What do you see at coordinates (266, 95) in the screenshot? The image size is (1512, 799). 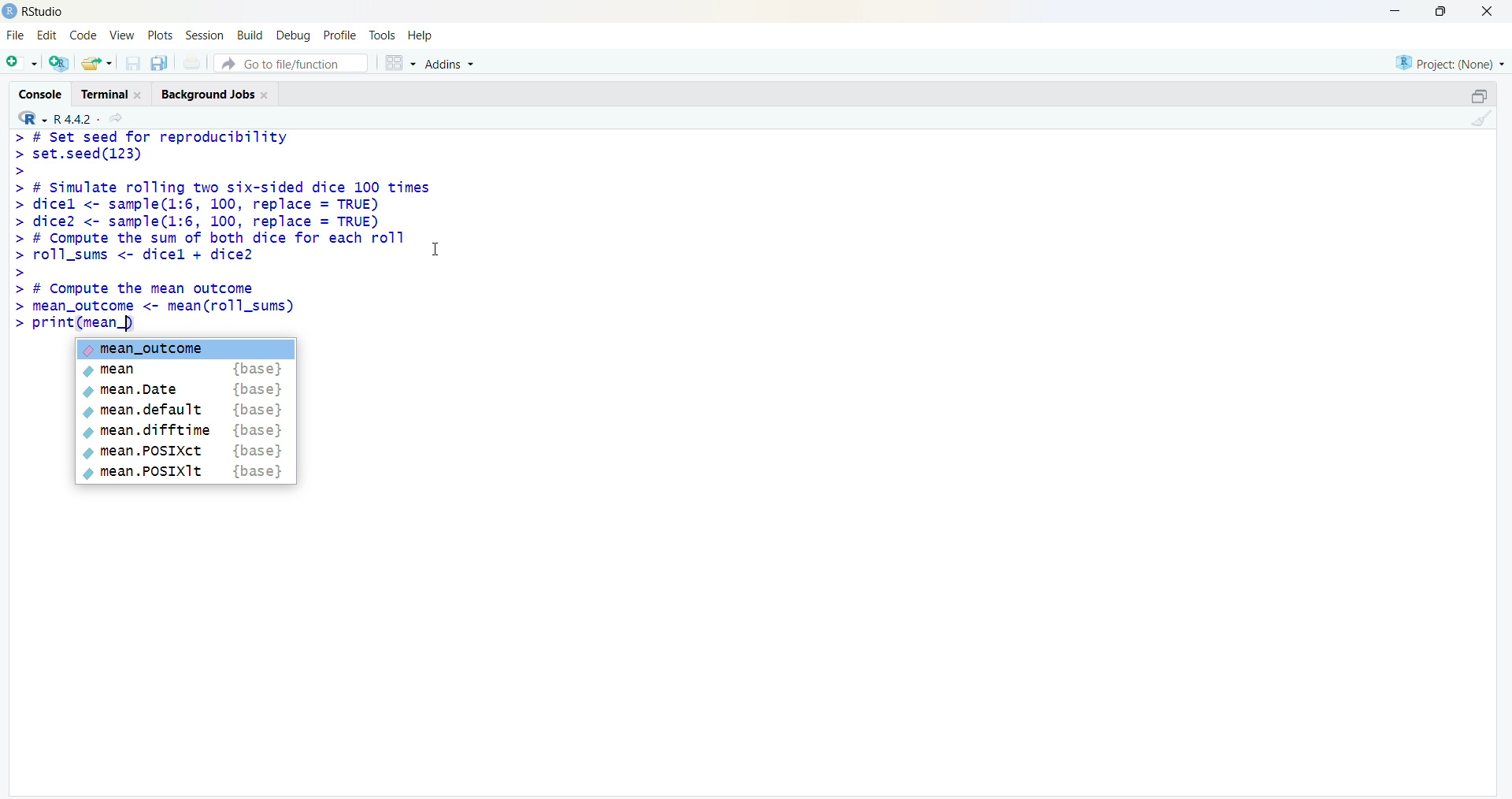 I see `close` at bounding box center [266, 95].